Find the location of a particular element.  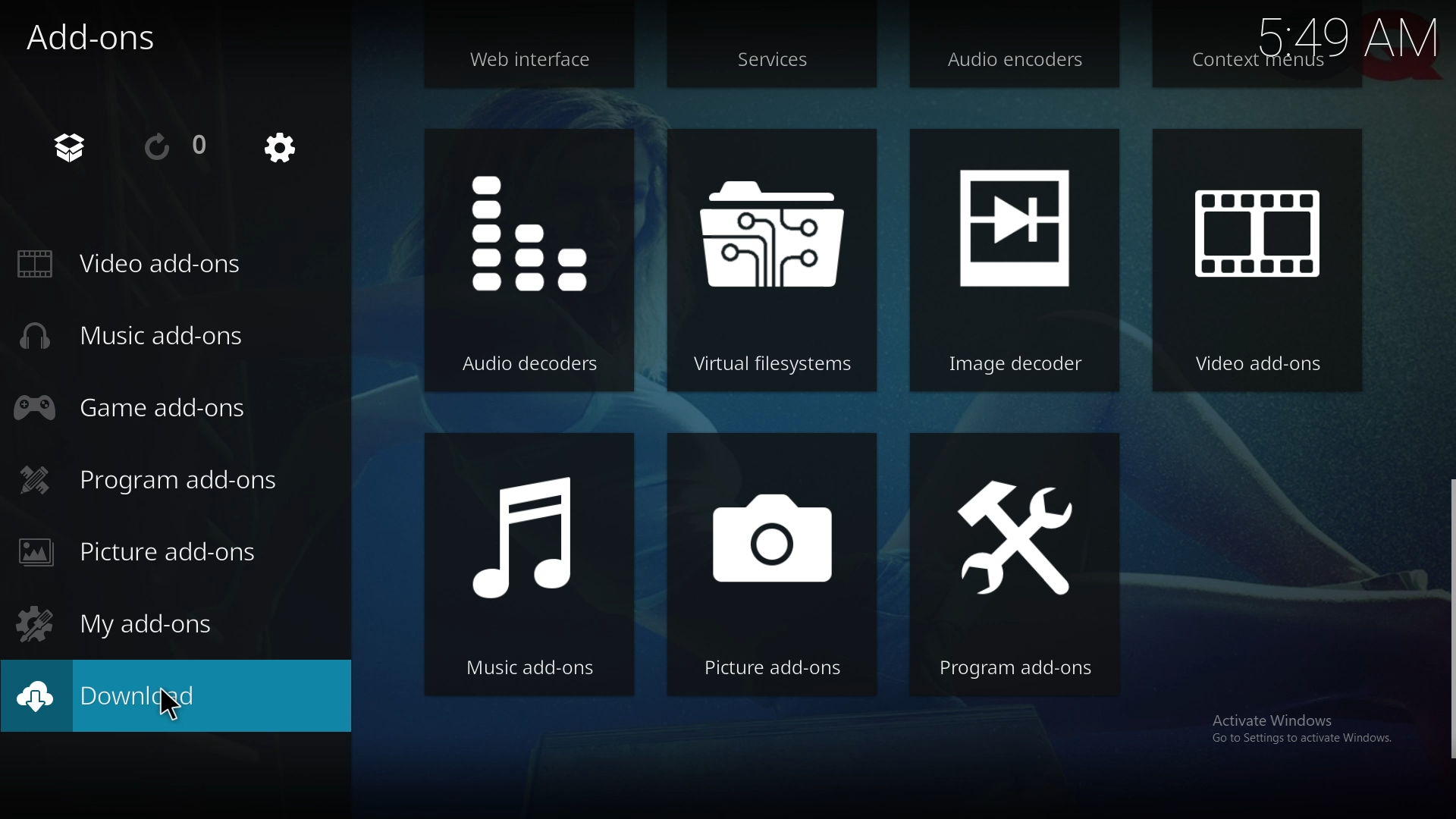

reload is located at coordinates (179, 149).